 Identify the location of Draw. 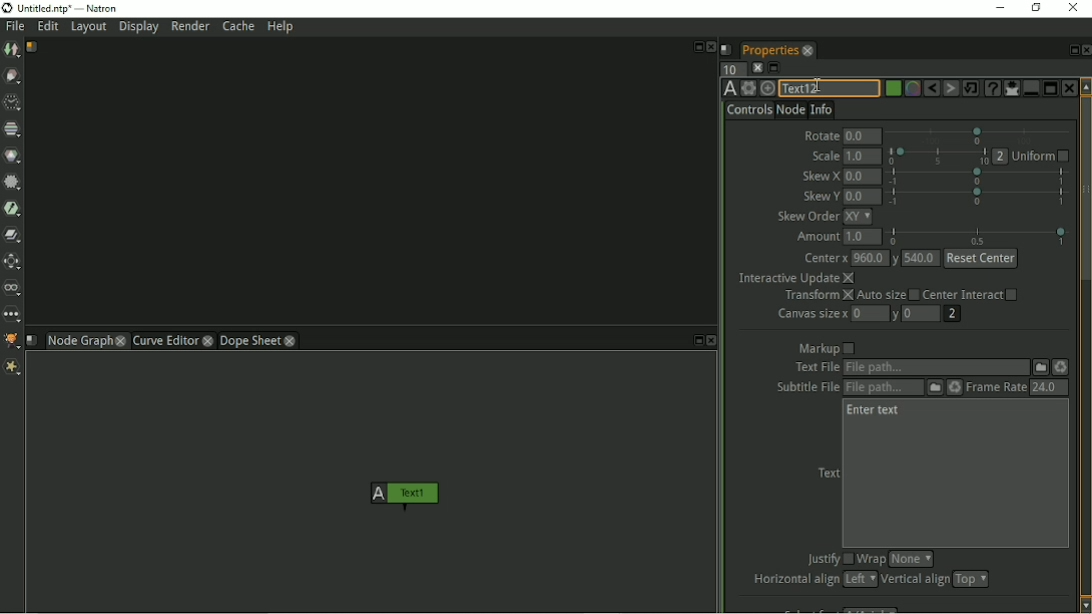
(13, 77).